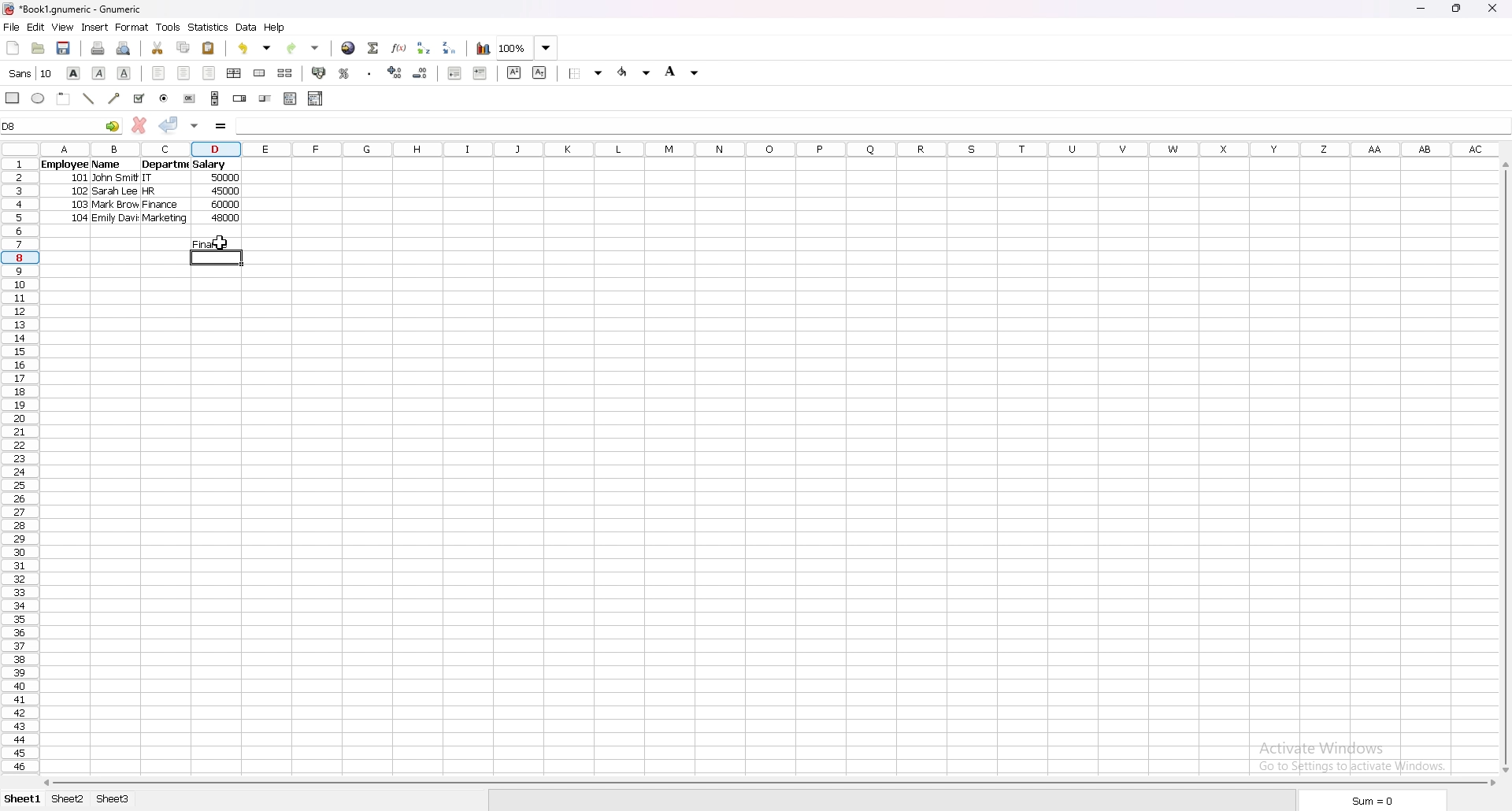  What do you see at coordinates (209, 73) in the screenshot?
I see `right indent` at bounding box center [209, 73].